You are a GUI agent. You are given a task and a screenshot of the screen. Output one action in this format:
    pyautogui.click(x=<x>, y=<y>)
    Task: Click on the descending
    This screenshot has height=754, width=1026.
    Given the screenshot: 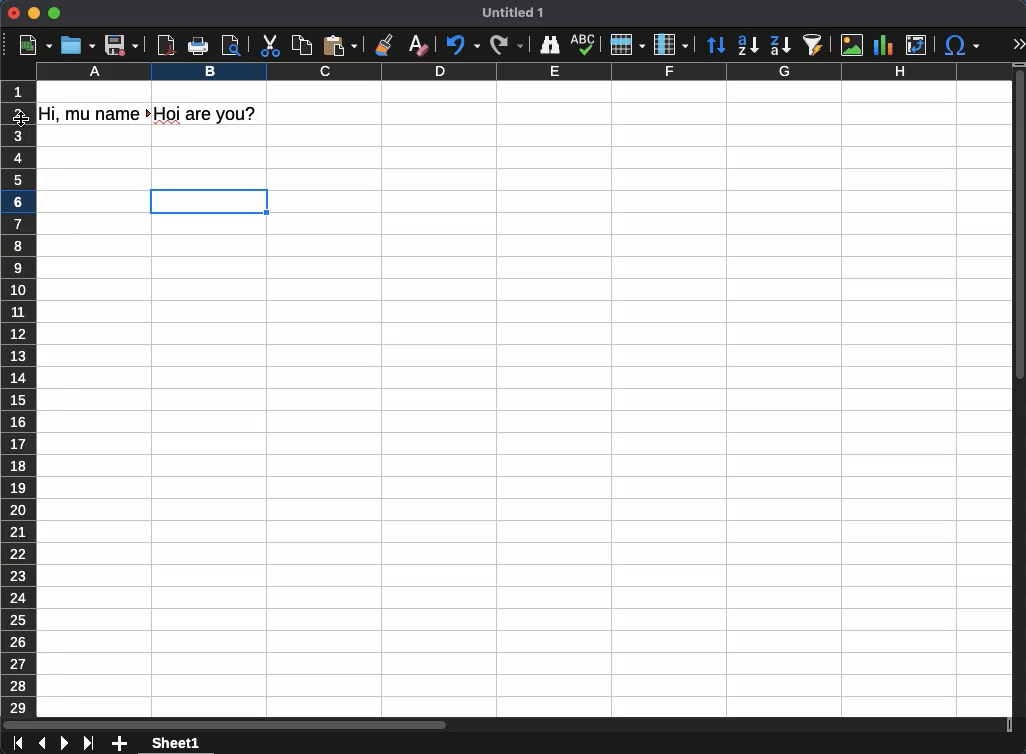 What is the action you would take?
    pyautogui.click(x=780, y=45)
    